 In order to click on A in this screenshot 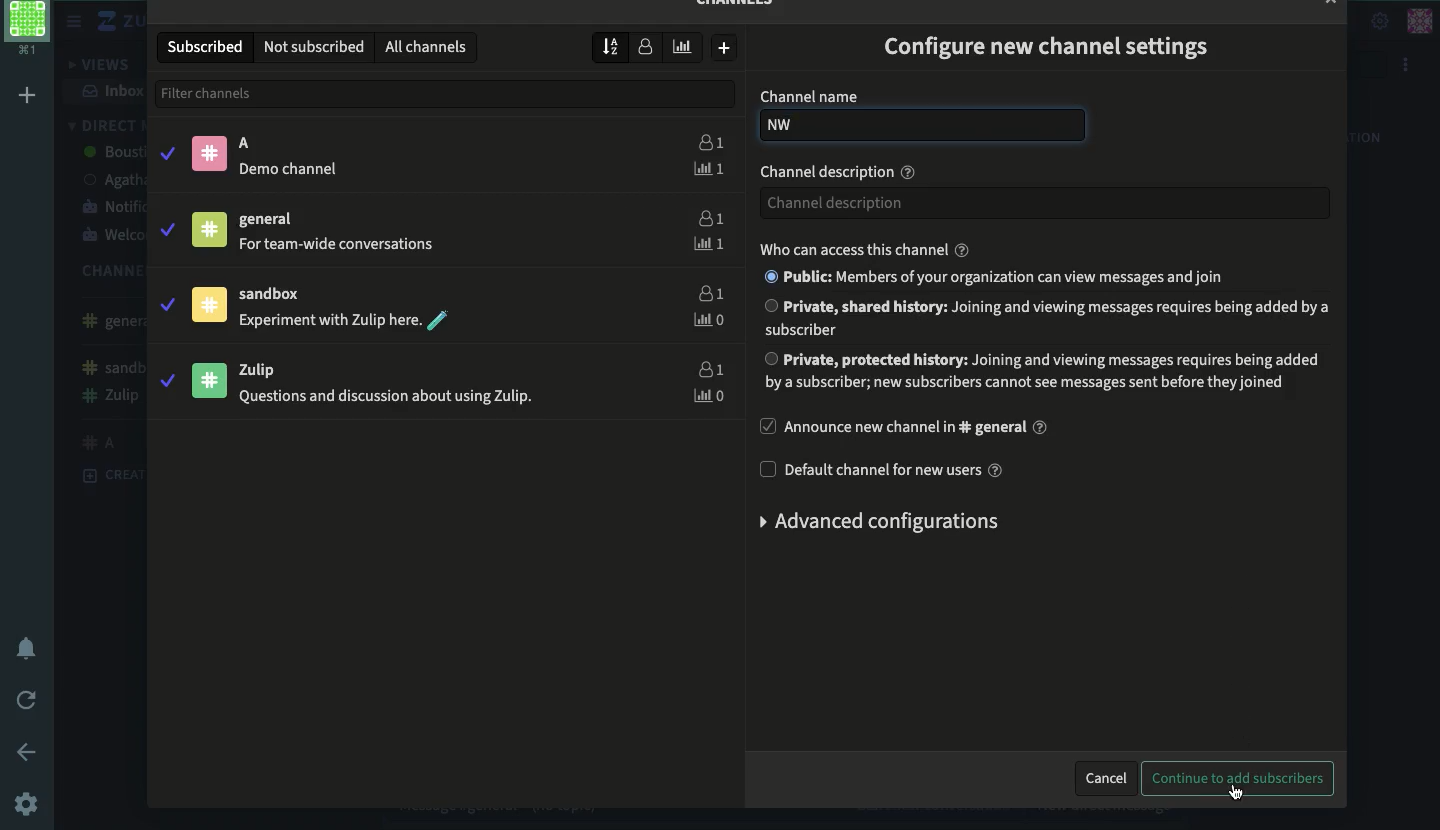, I will do `click(252, 144)`.